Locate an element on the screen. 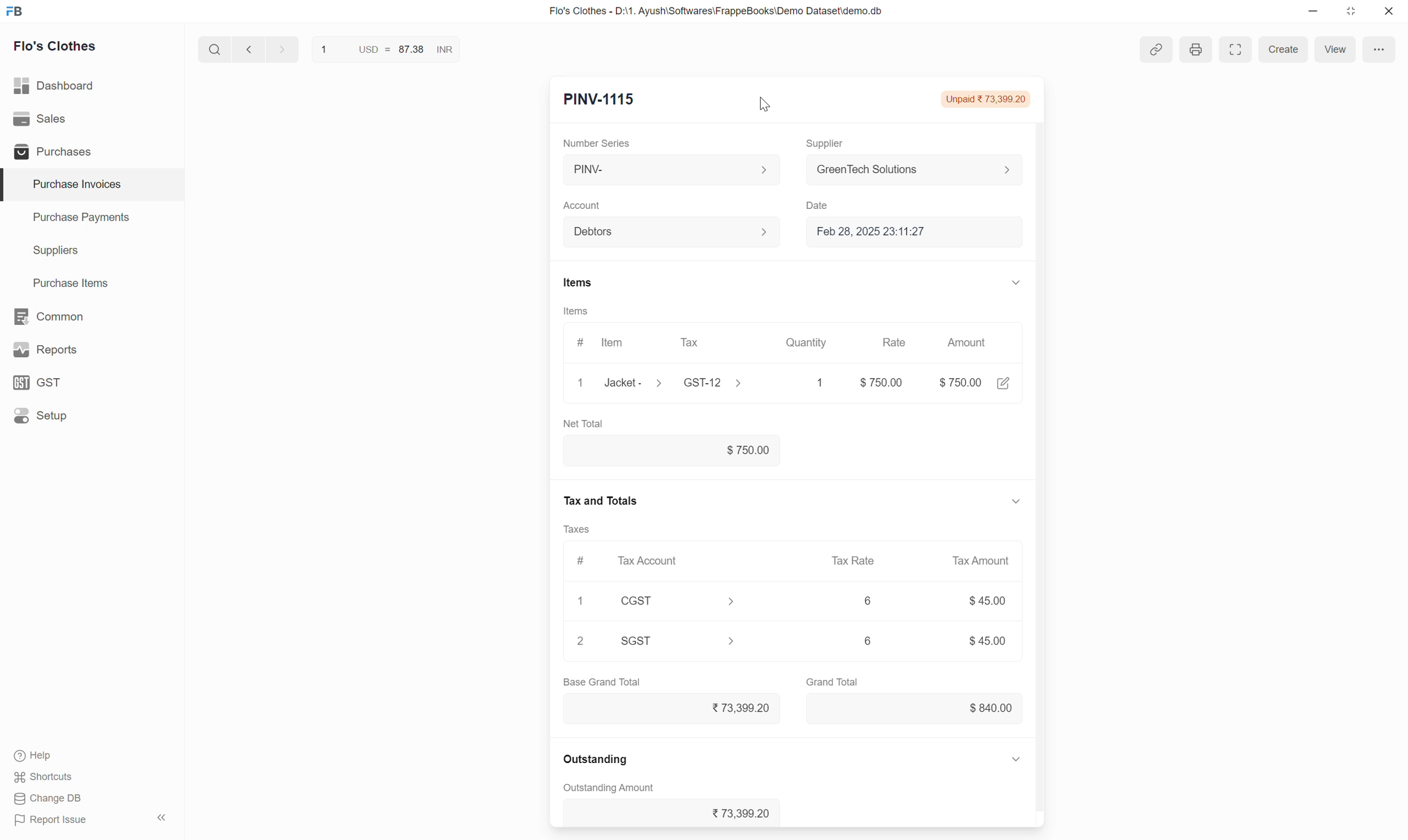  Tax Rate is located at coordinates (852, 561).